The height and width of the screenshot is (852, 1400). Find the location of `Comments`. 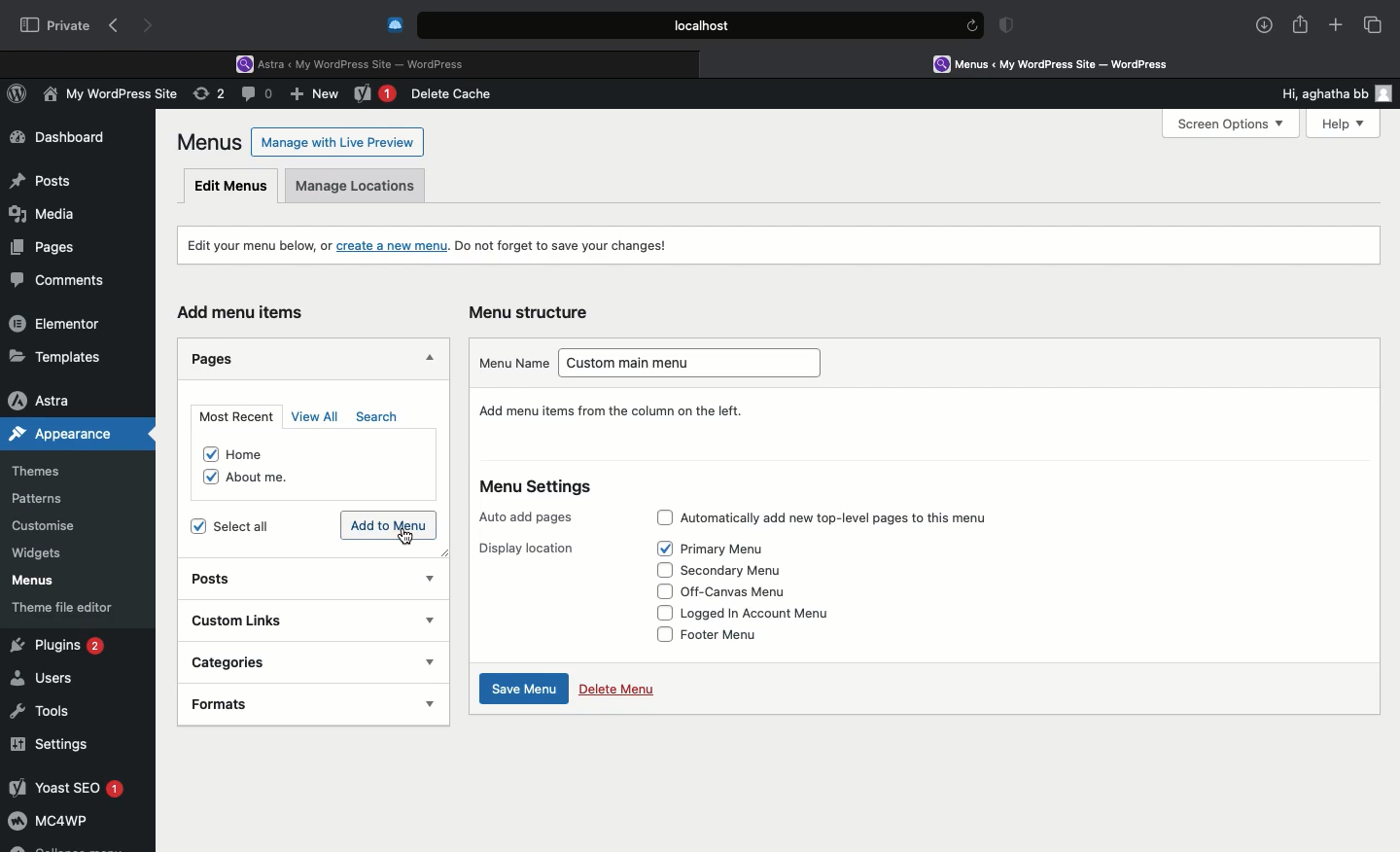

Comments is located at coordinates (66, 281).